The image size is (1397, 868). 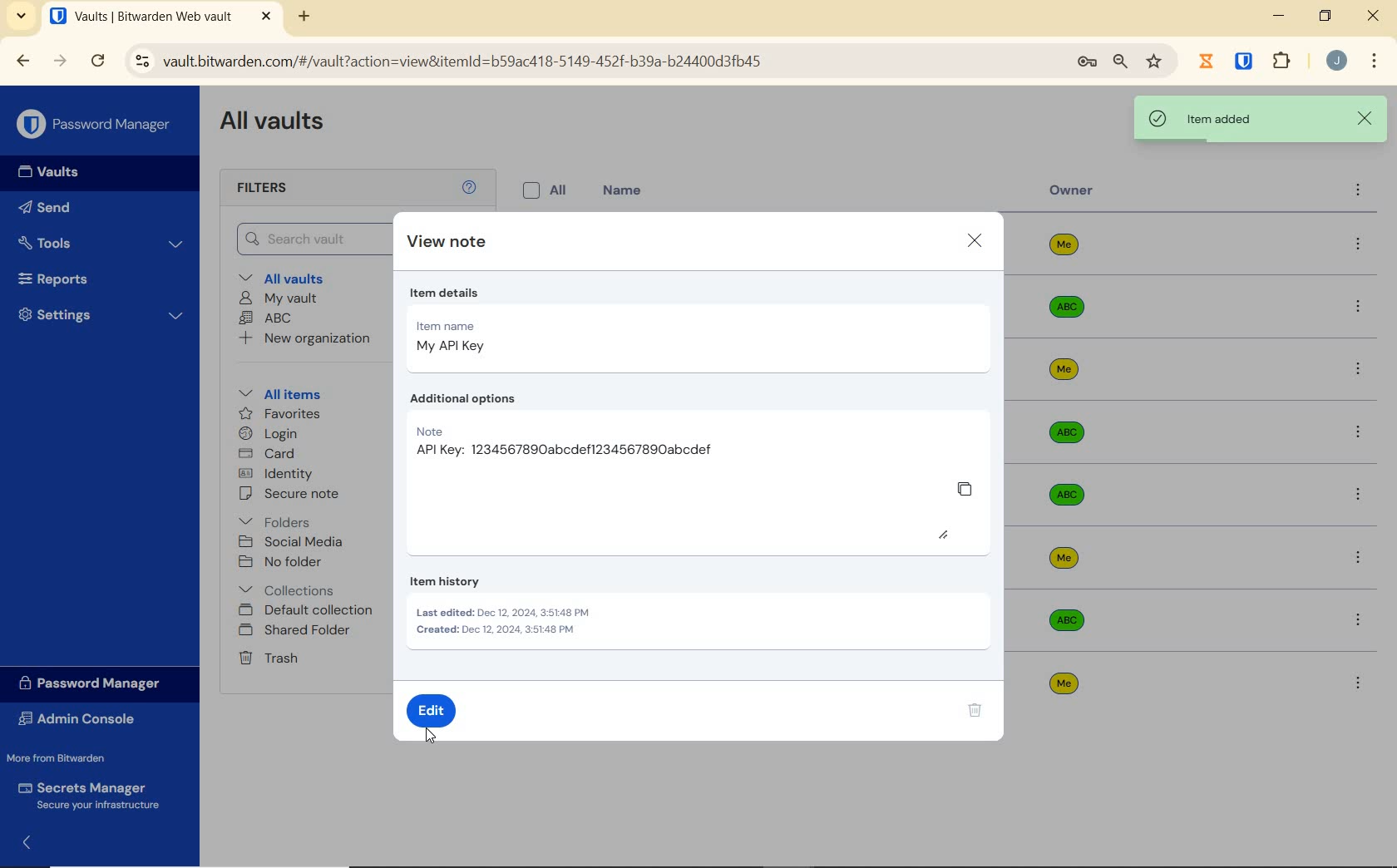 I want to click on Collections, so click(x=290, y=587).